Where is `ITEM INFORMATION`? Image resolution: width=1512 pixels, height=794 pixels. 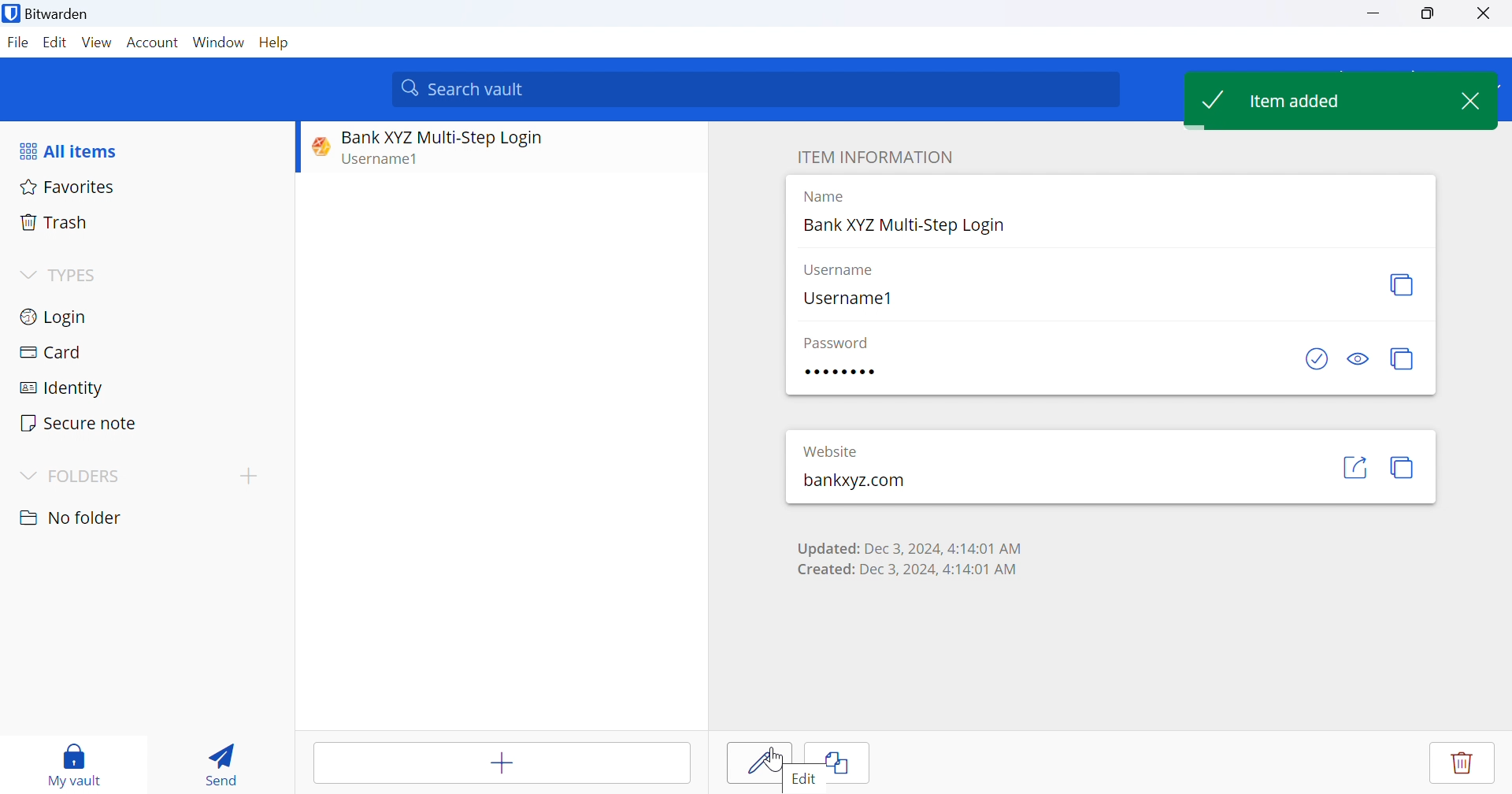
ITEM INFORMATION is located at coordinates (875, 155).